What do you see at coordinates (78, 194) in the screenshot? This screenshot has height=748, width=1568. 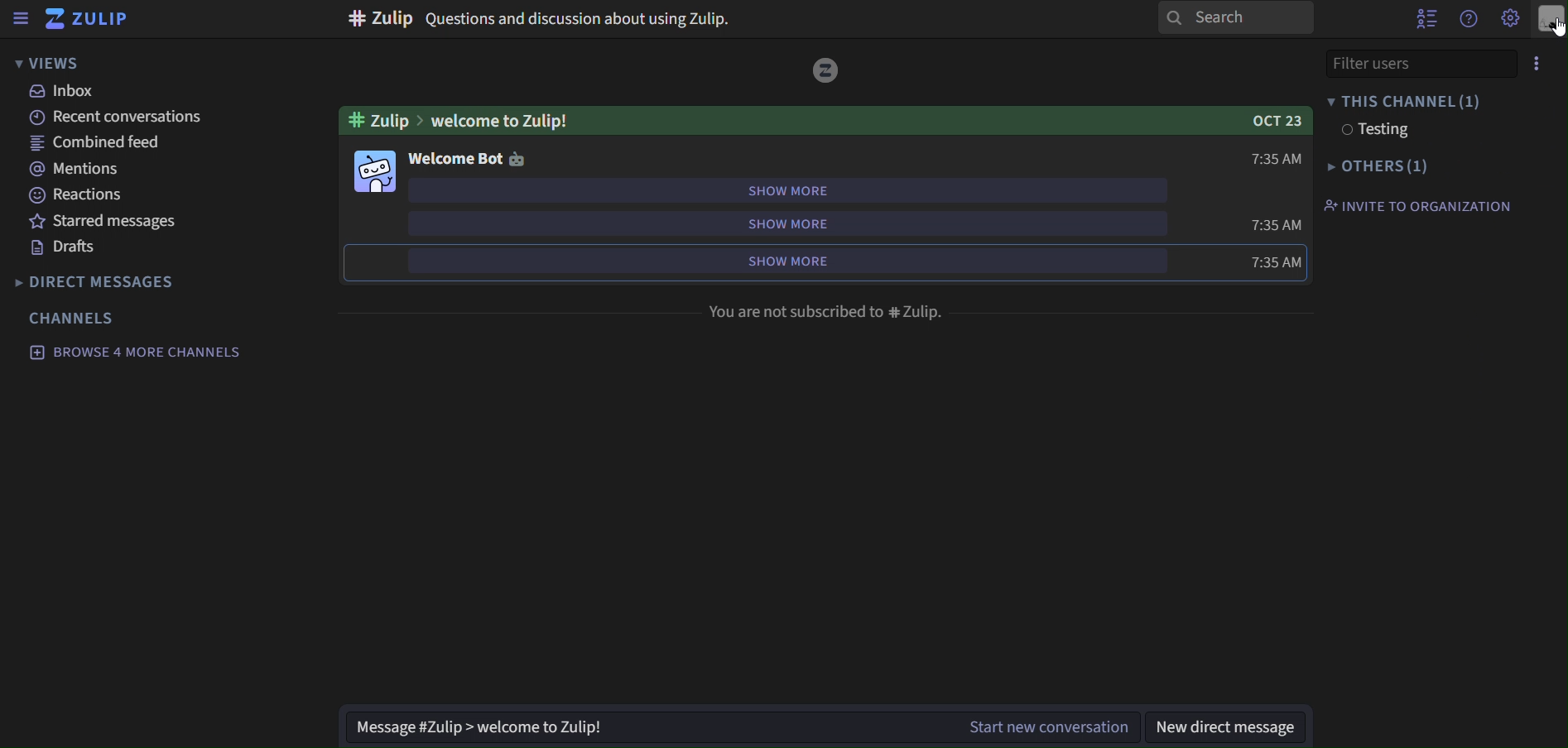 I see `reactions` at bounding box center [78, 194].